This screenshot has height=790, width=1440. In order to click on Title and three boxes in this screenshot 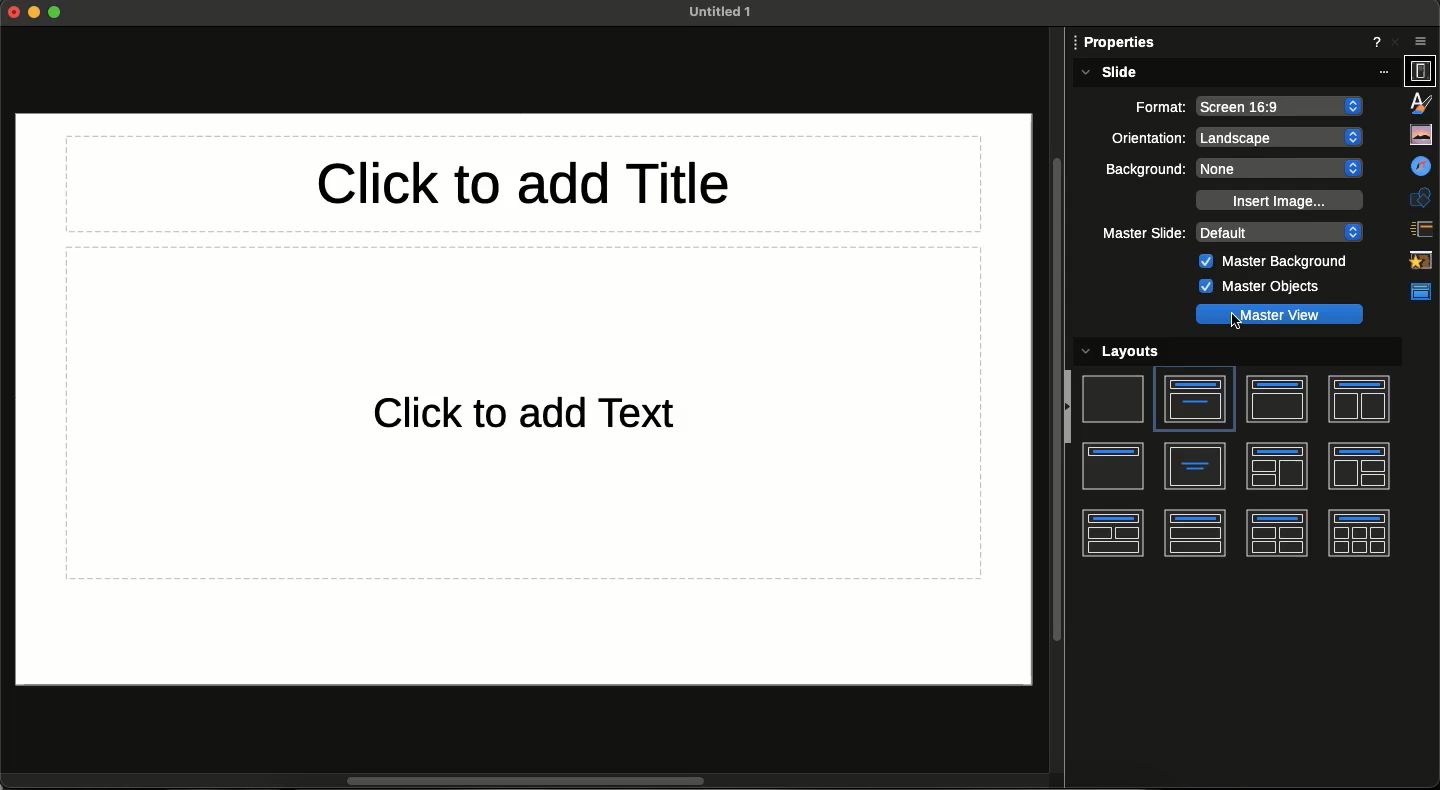, I will do `click(1359, 466)`.